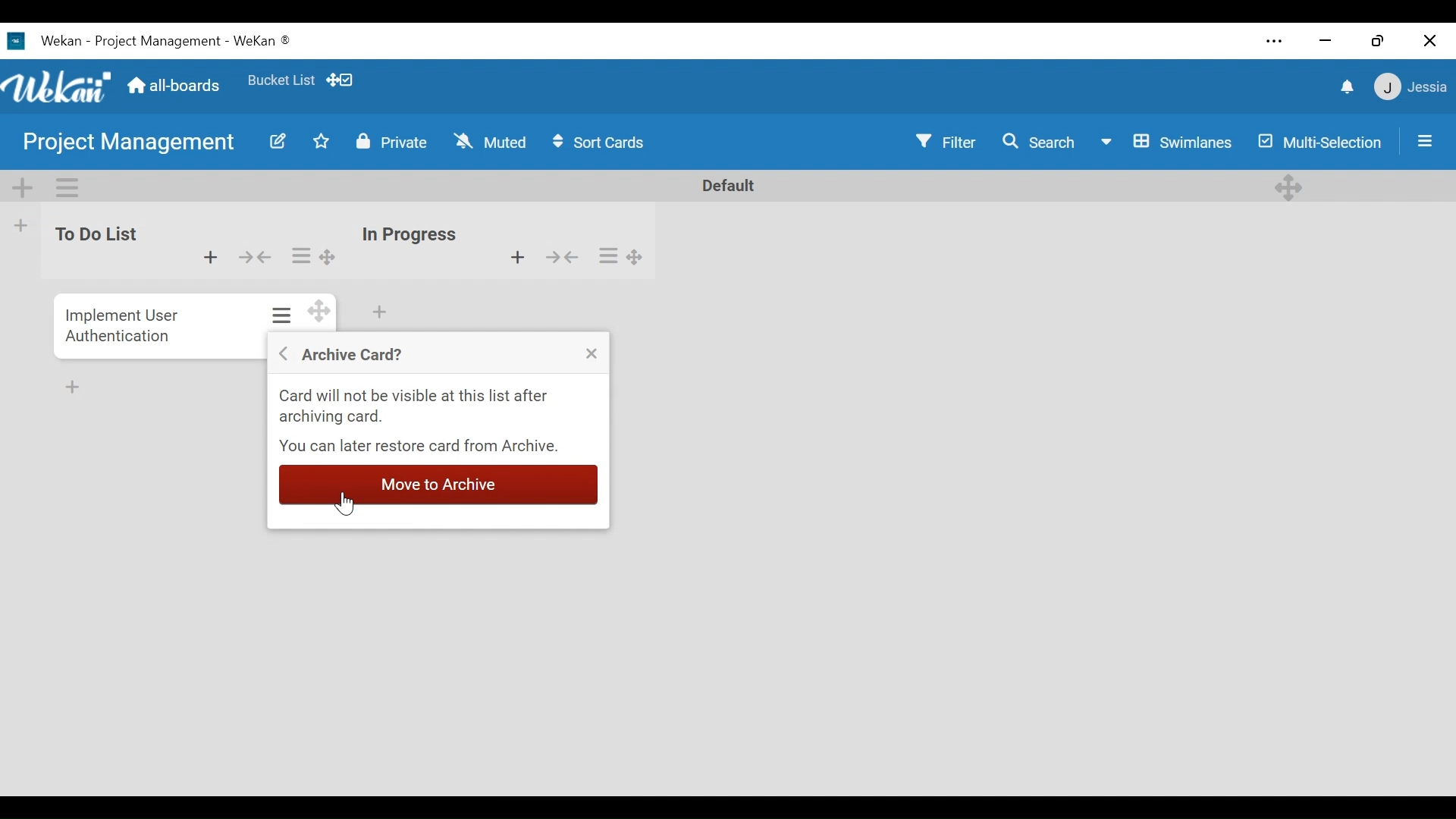 The height and width of the screenshot is (819, 1456). What do you see at coordinates (570, 260) in the screenshot?
I see `show/hide` at bounding box center [570, 260].